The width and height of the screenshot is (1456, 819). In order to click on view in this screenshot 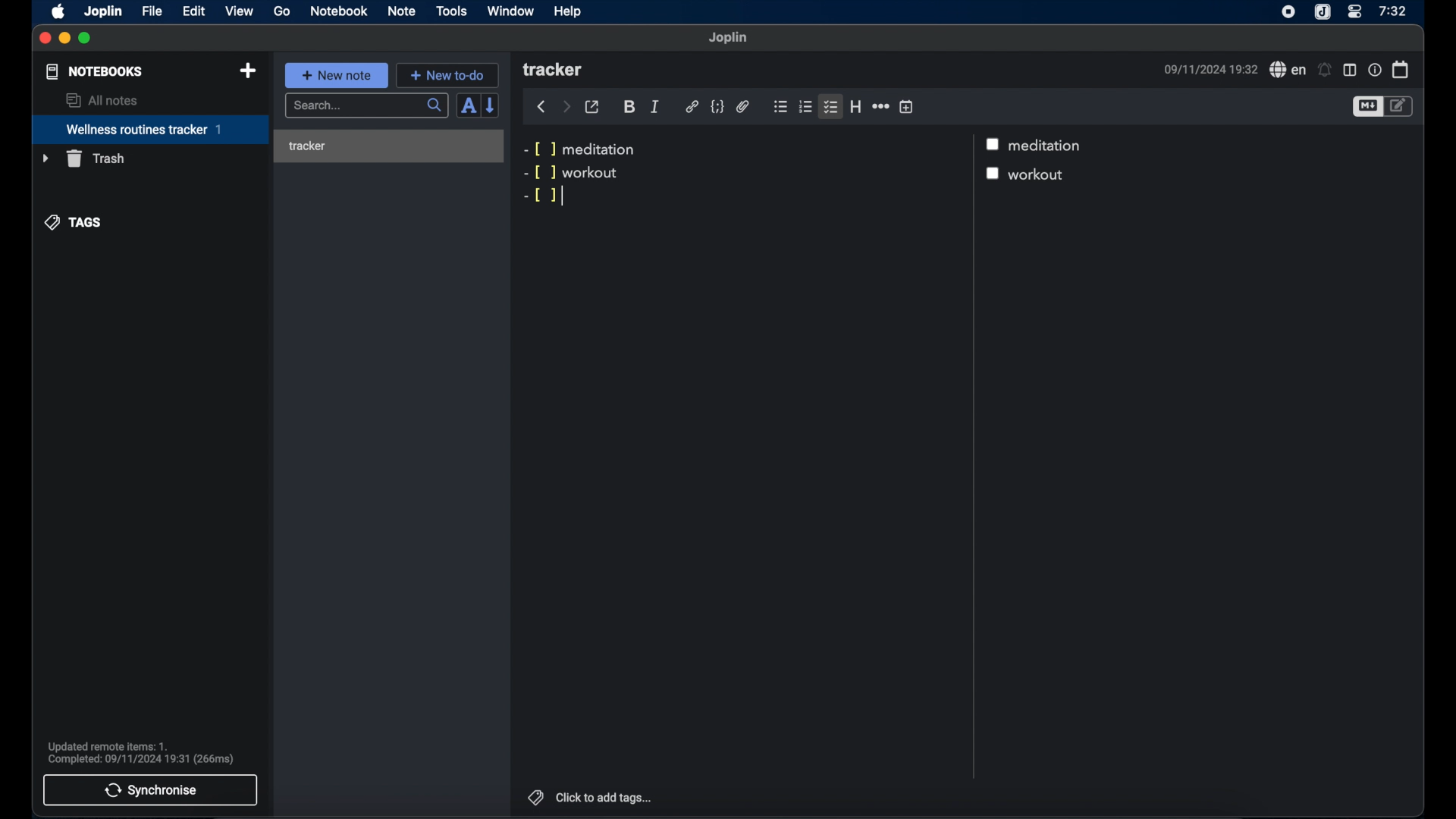, I will do `click(239, 11)`.